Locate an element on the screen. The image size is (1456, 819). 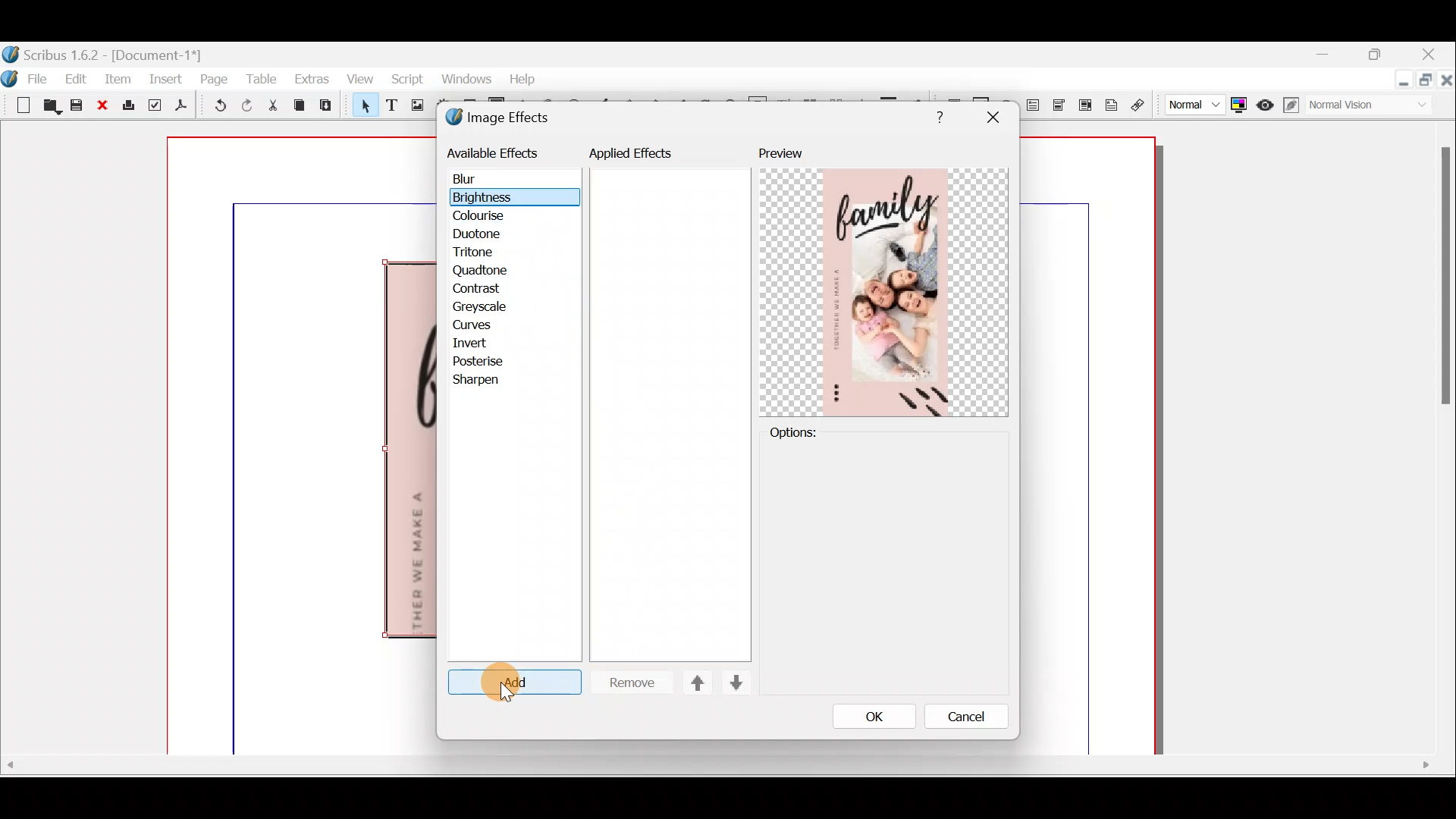
New is located at coordinates (18, 104).